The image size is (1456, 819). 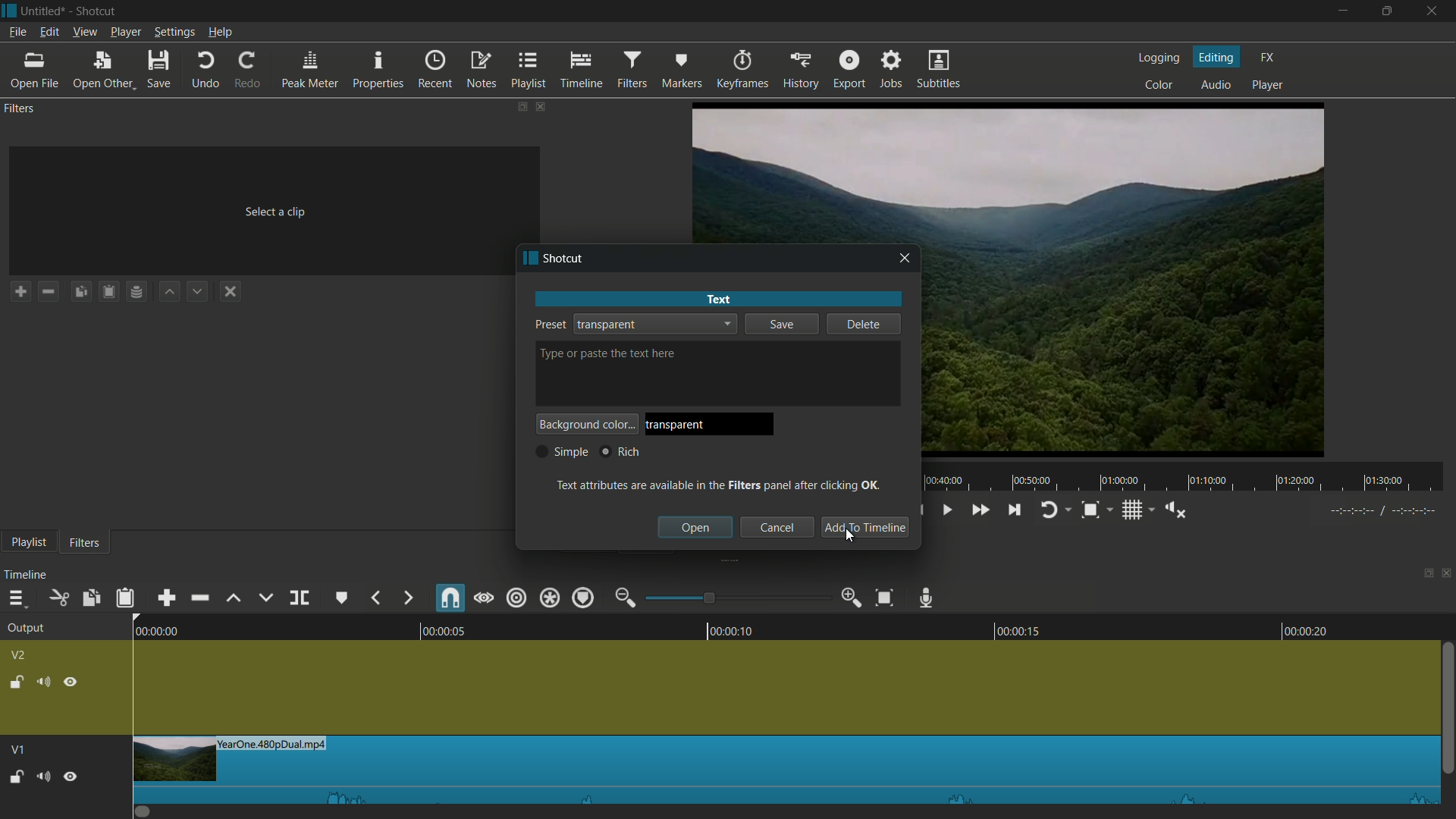 I want to click on close window, so click(x=905, y=259).